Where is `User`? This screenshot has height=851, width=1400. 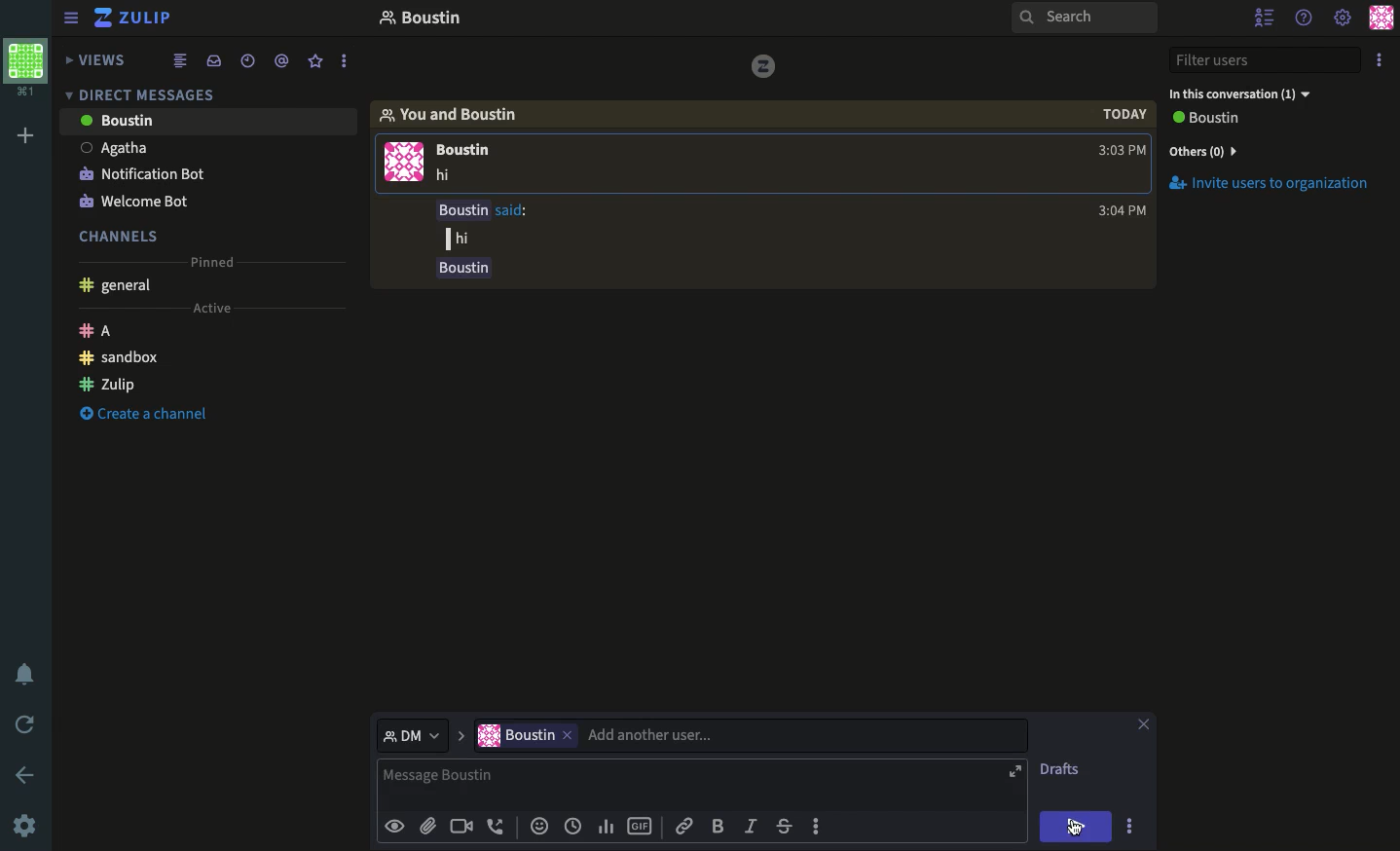
User is located at coordinates (205, 145).